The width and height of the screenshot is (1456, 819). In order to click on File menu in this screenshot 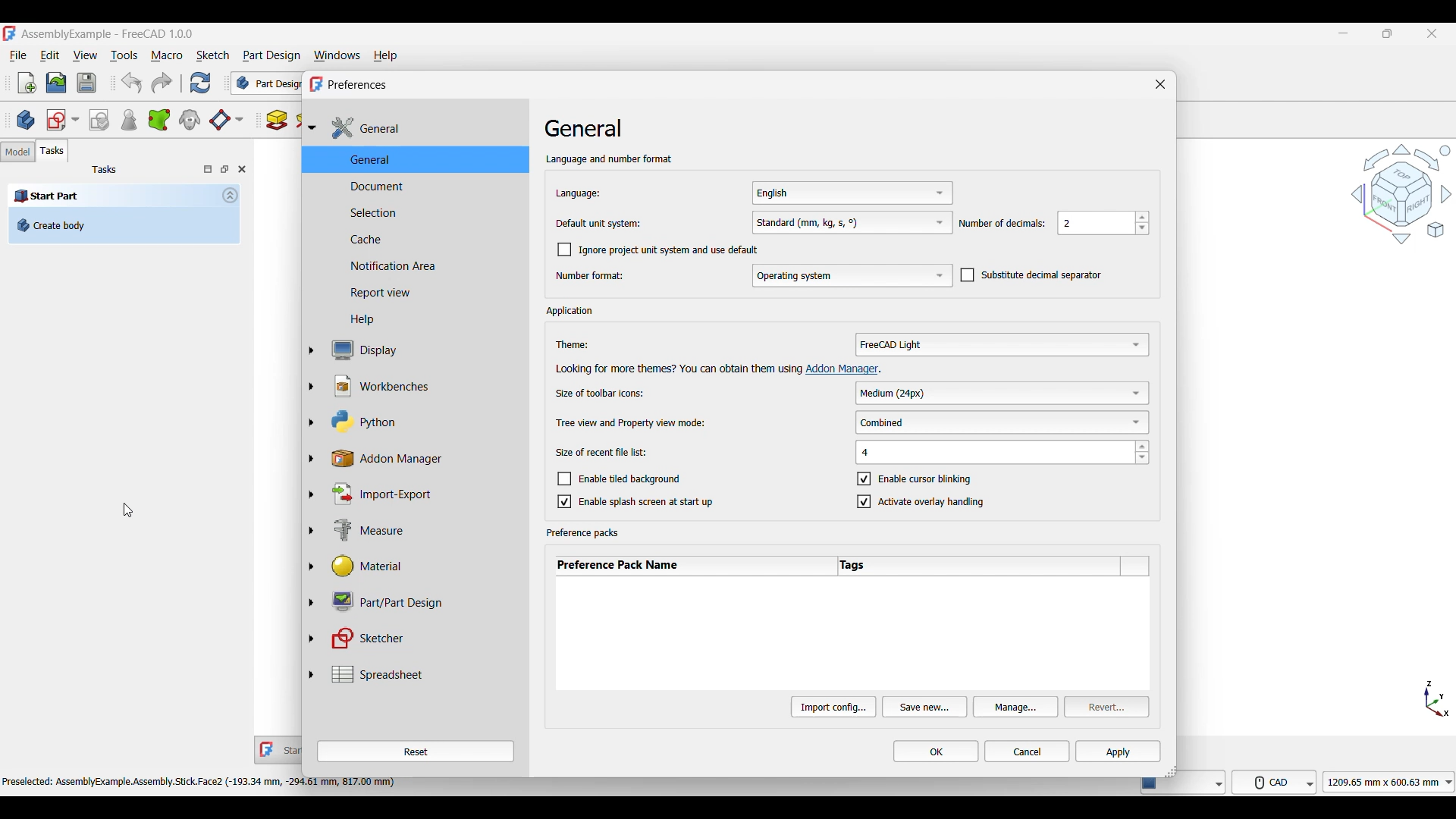, I will do `click(20, 55)`.